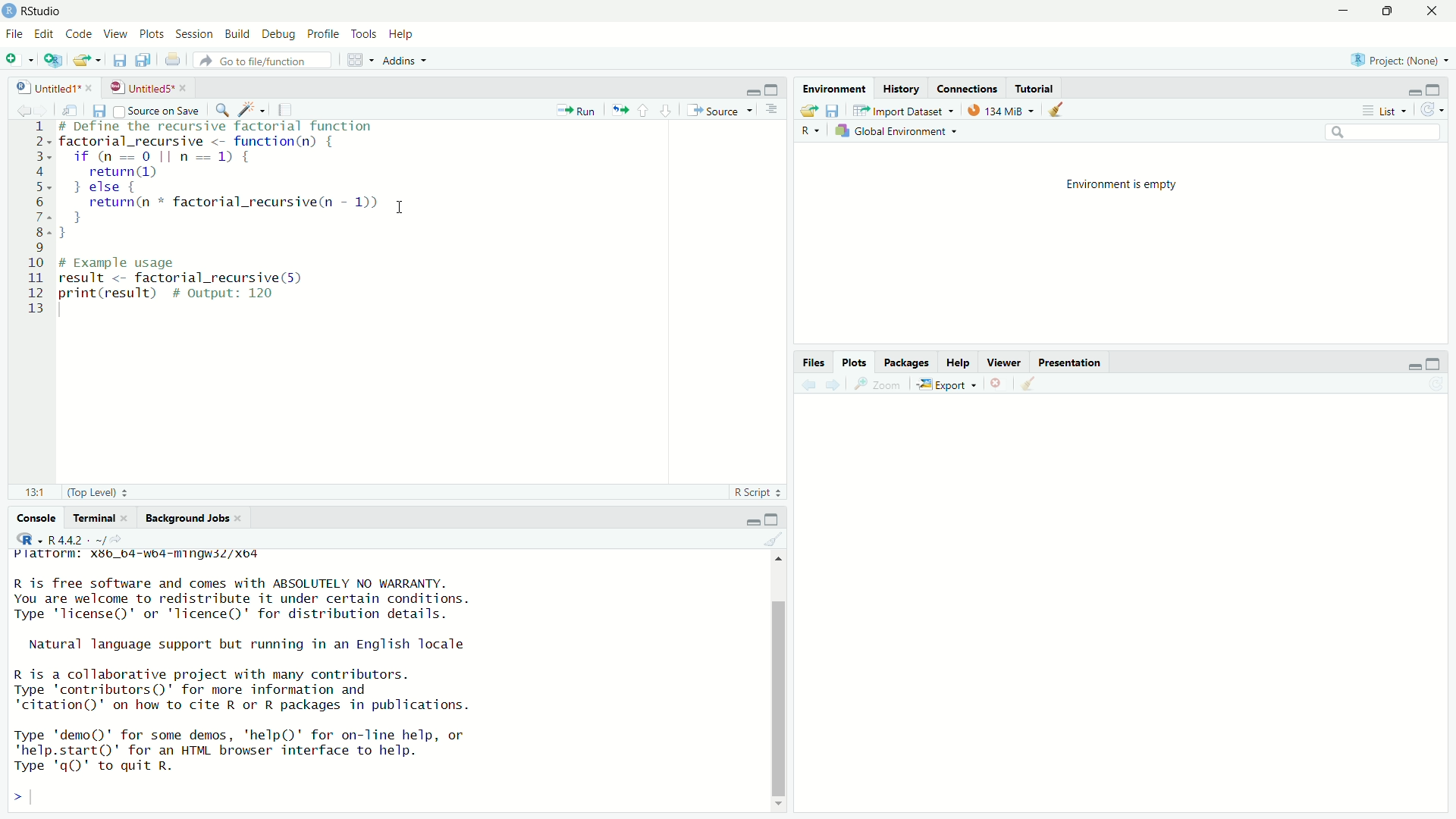  I want to click on Maximize, so click(1436, 89).